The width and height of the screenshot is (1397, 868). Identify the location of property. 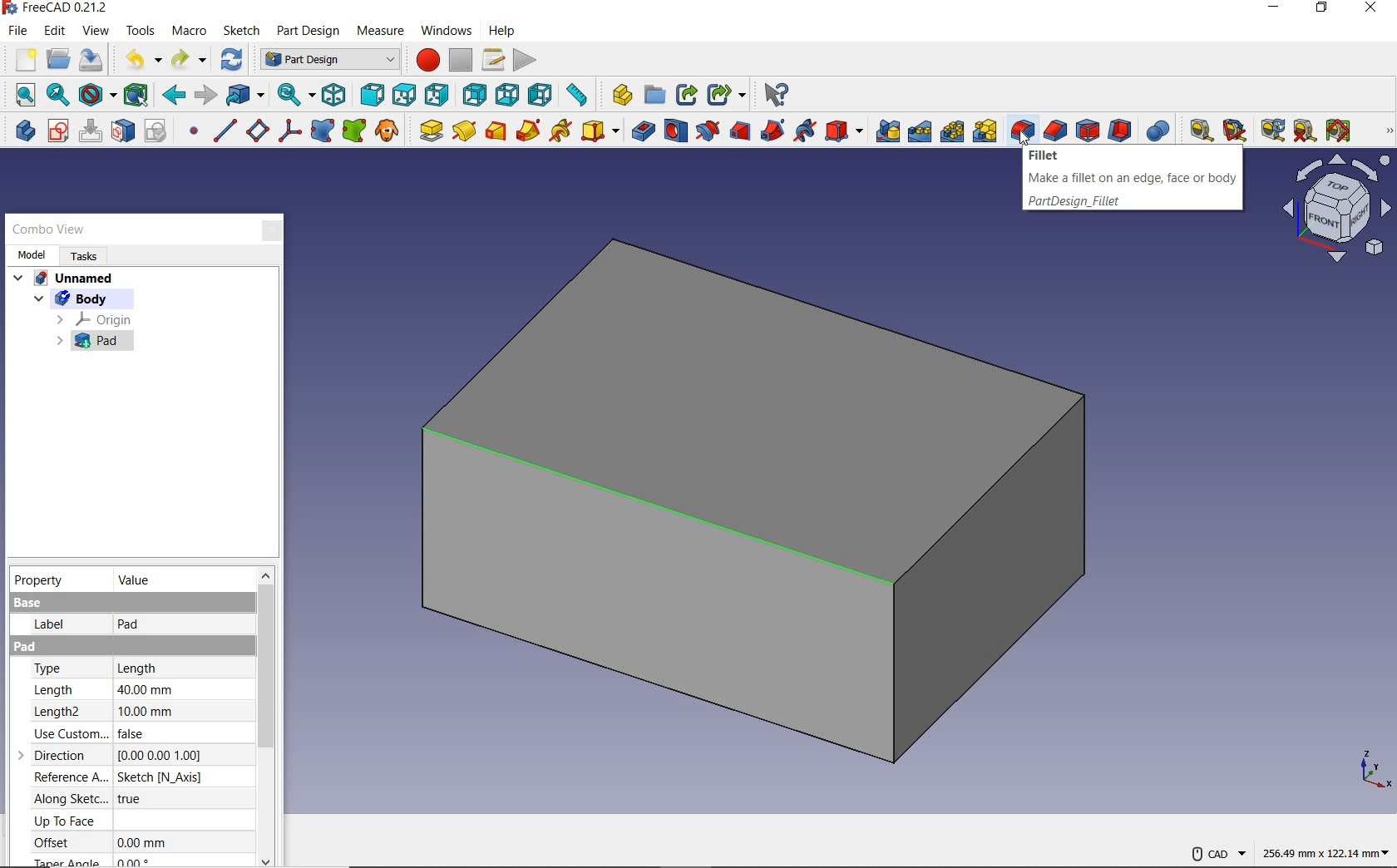
(42, 580).